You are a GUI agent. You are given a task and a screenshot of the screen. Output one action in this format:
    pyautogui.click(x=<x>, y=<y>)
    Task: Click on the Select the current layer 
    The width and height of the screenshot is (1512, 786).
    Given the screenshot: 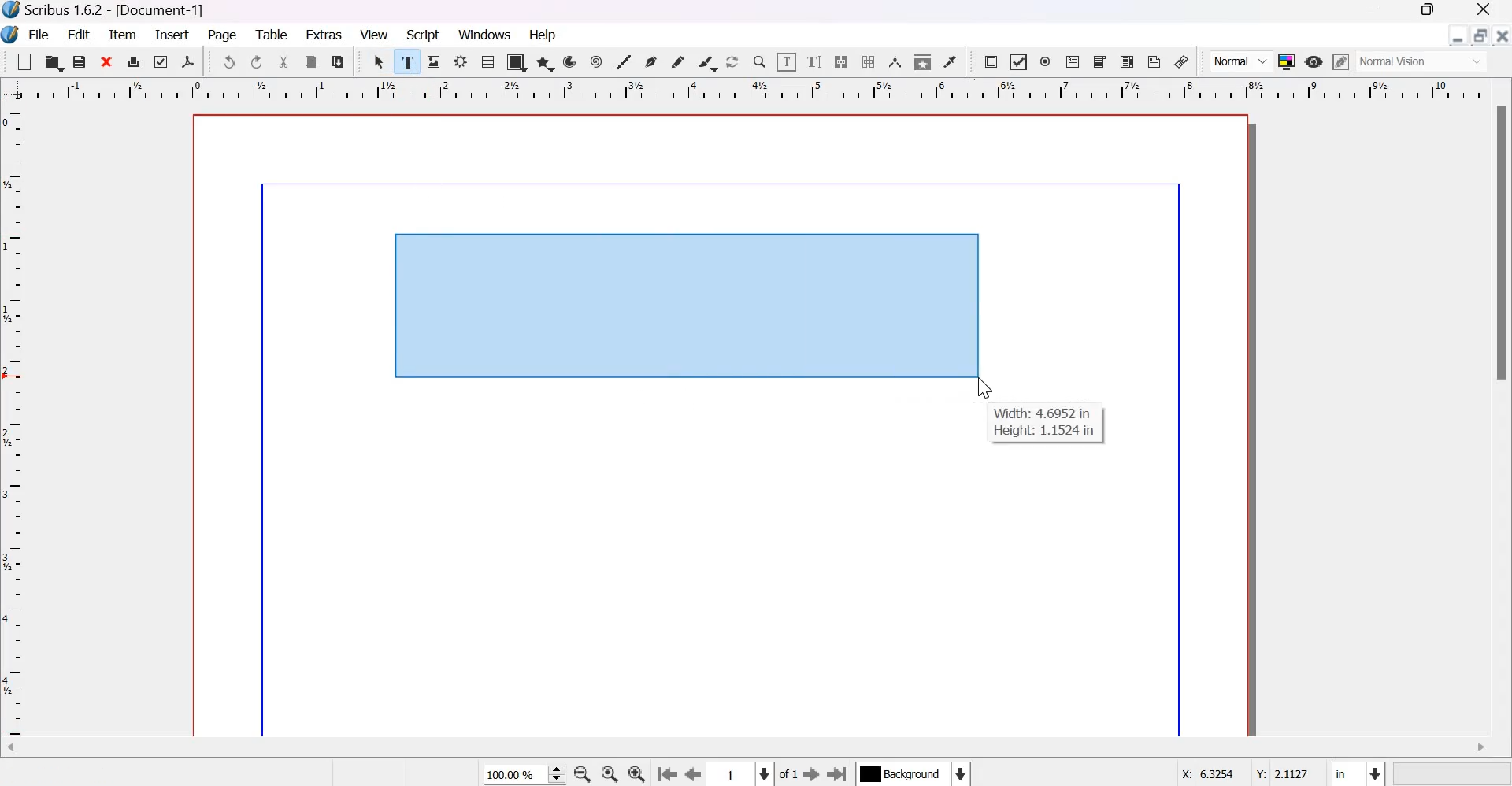 What is the action you would take?
    pyautogui.click(x=912, y=773)
    